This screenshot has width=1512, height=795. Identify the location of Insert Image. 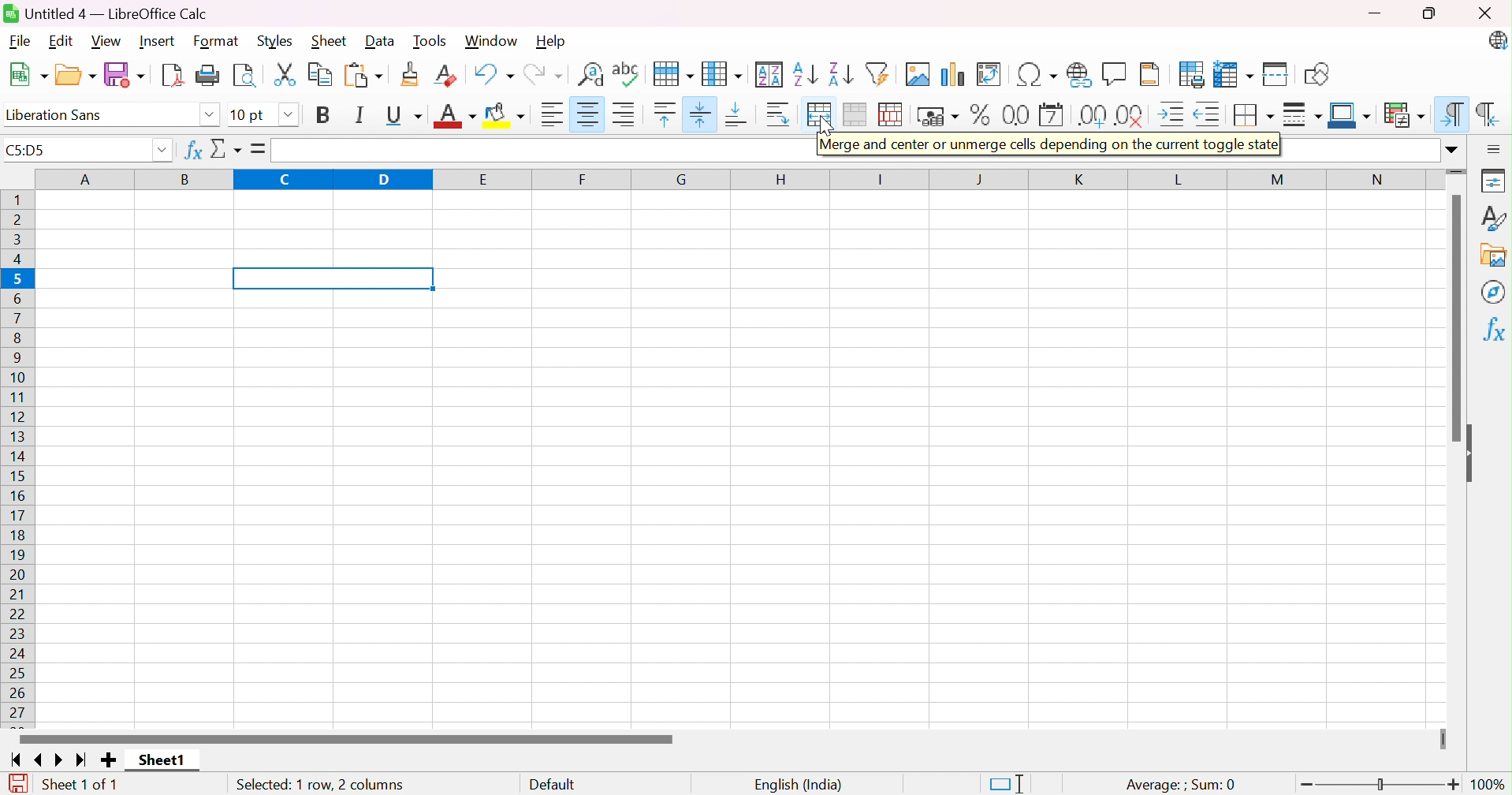
(917, 74).